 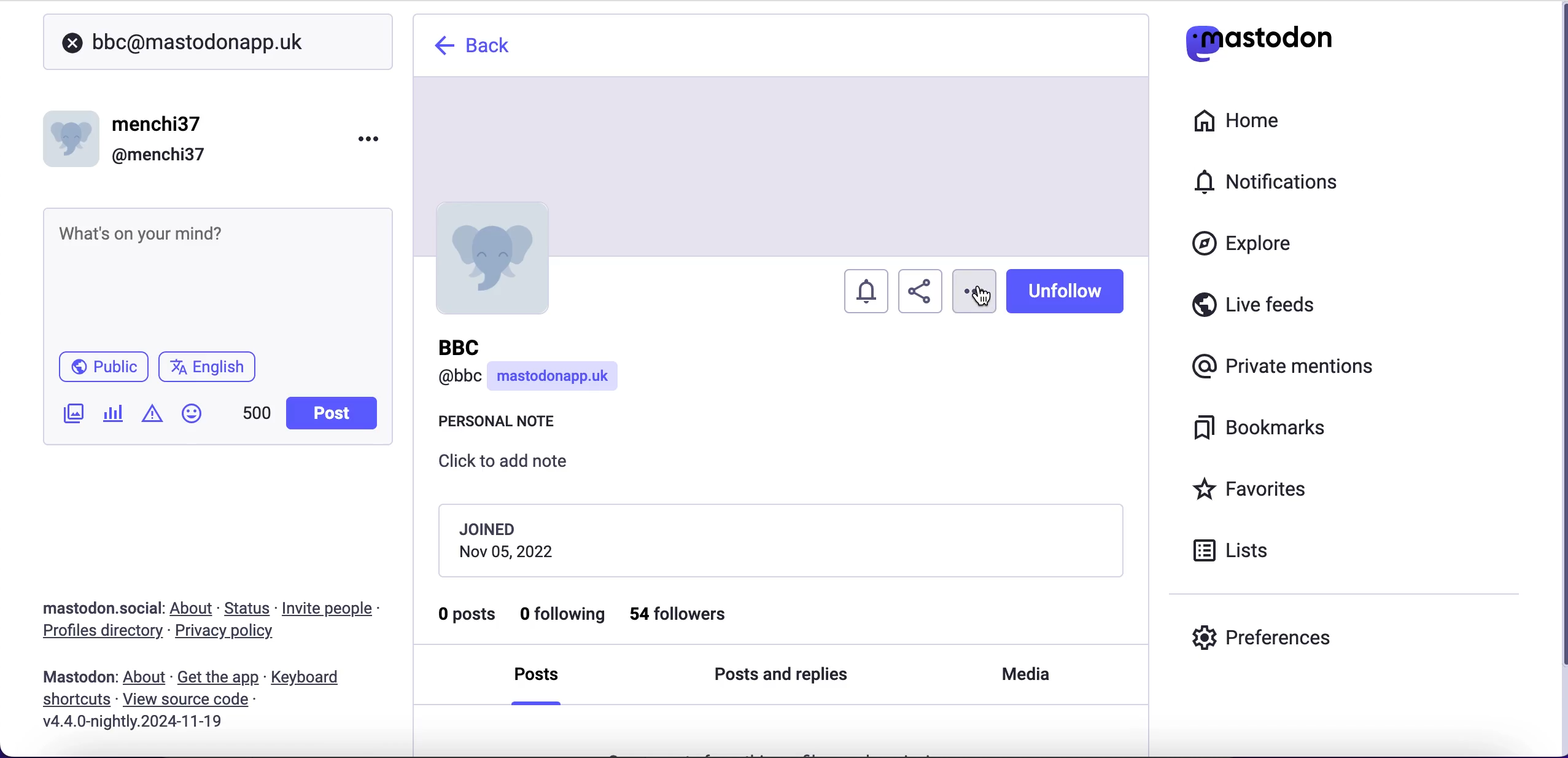 What do you see at coordinates (689, 614) in the screenshot?
I see `54 followers` at bounding box center [689, 614].